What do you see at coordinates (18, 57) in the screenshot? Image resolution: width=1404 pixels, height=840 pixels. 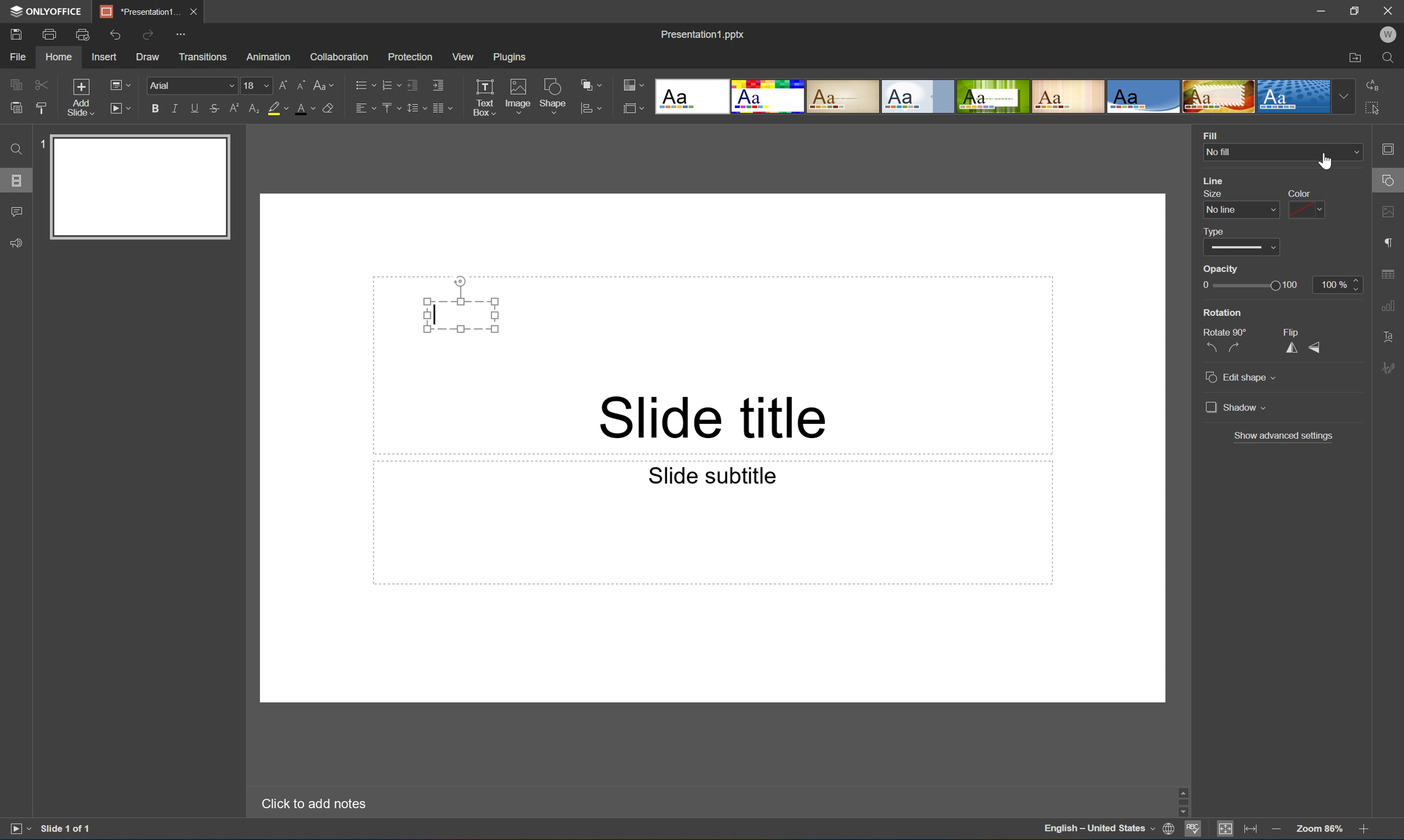 I see `File` at bounding box center [18, 57].